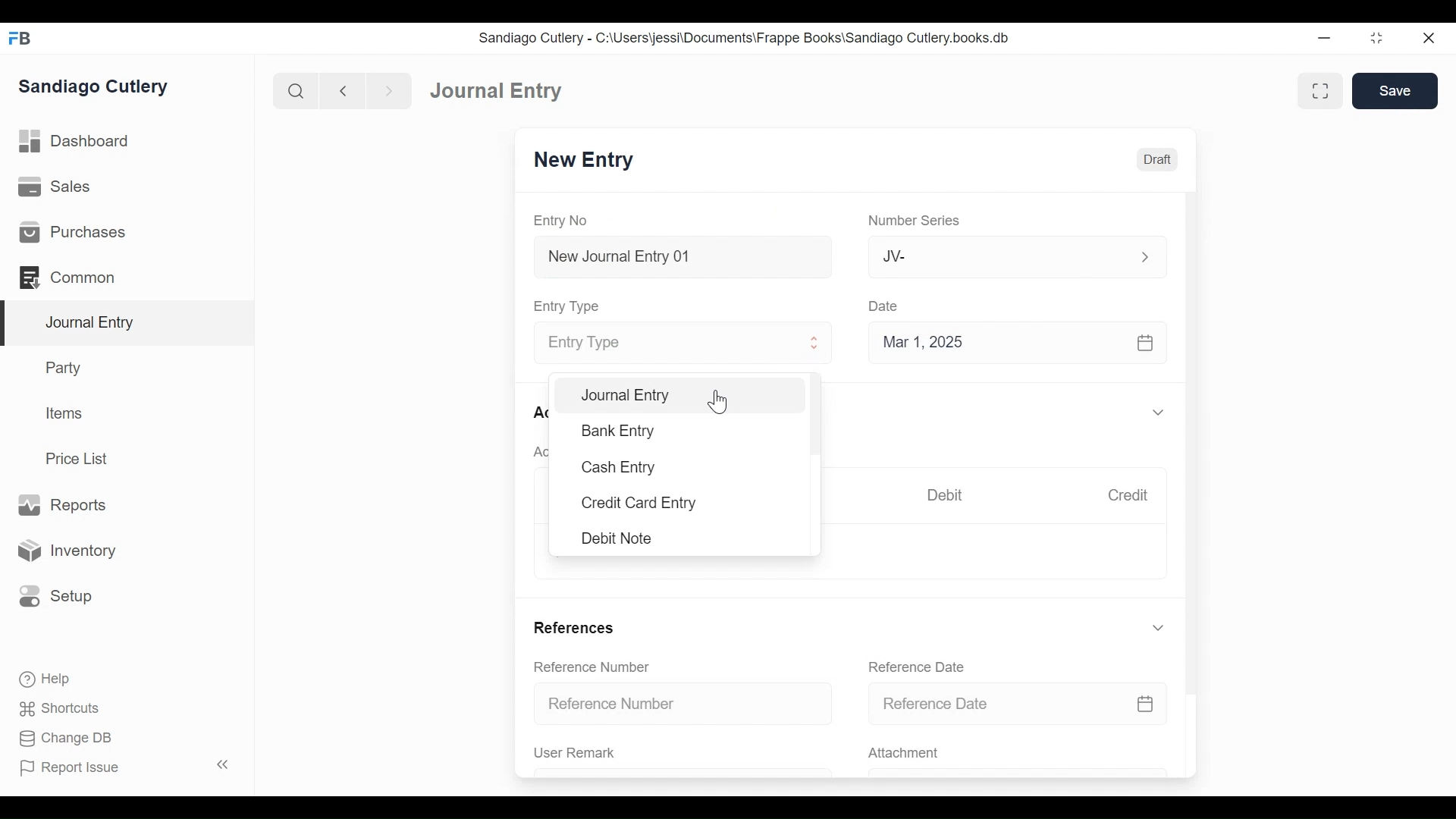 Image resolution: width=1456 pixels, height=819 pixels. What do you see at coordinates (1326, 35) in the screenshot?
I see `minimize` at bounding box center [1326, 35].